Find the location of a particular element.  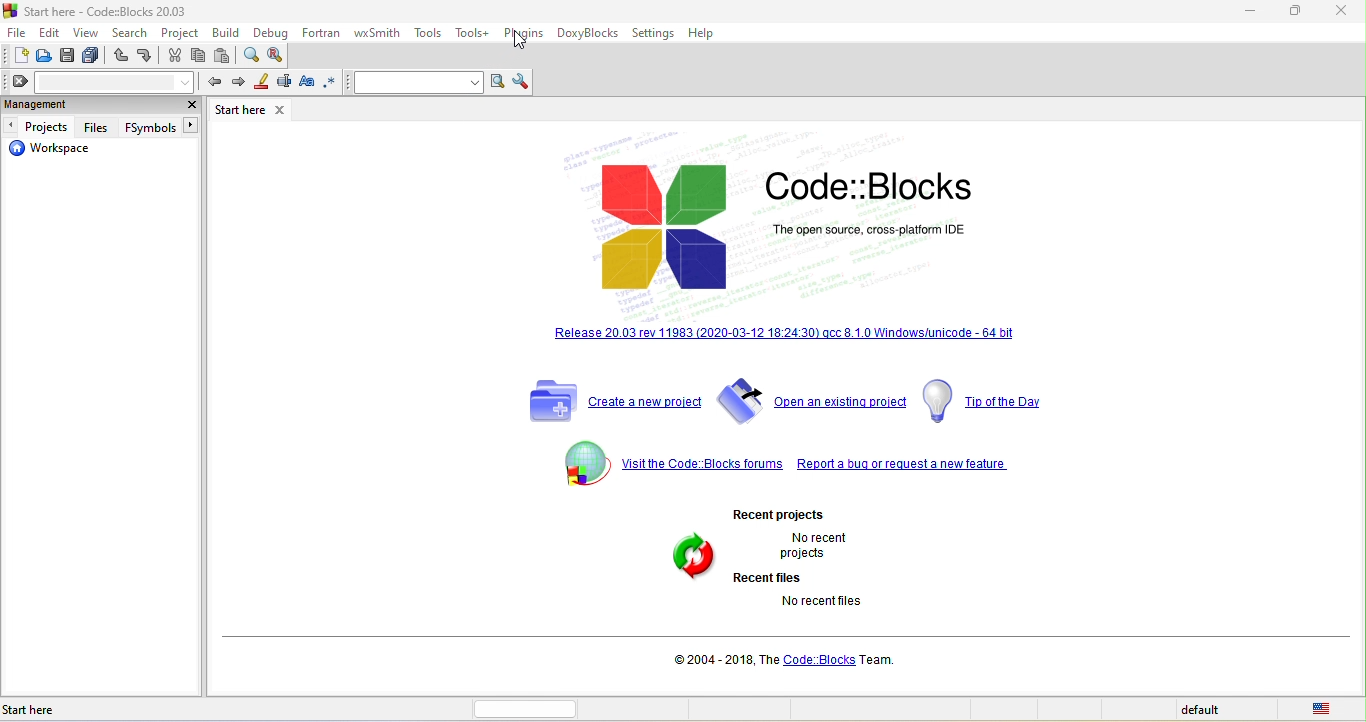

united state is located at coordinates (1325, 710).